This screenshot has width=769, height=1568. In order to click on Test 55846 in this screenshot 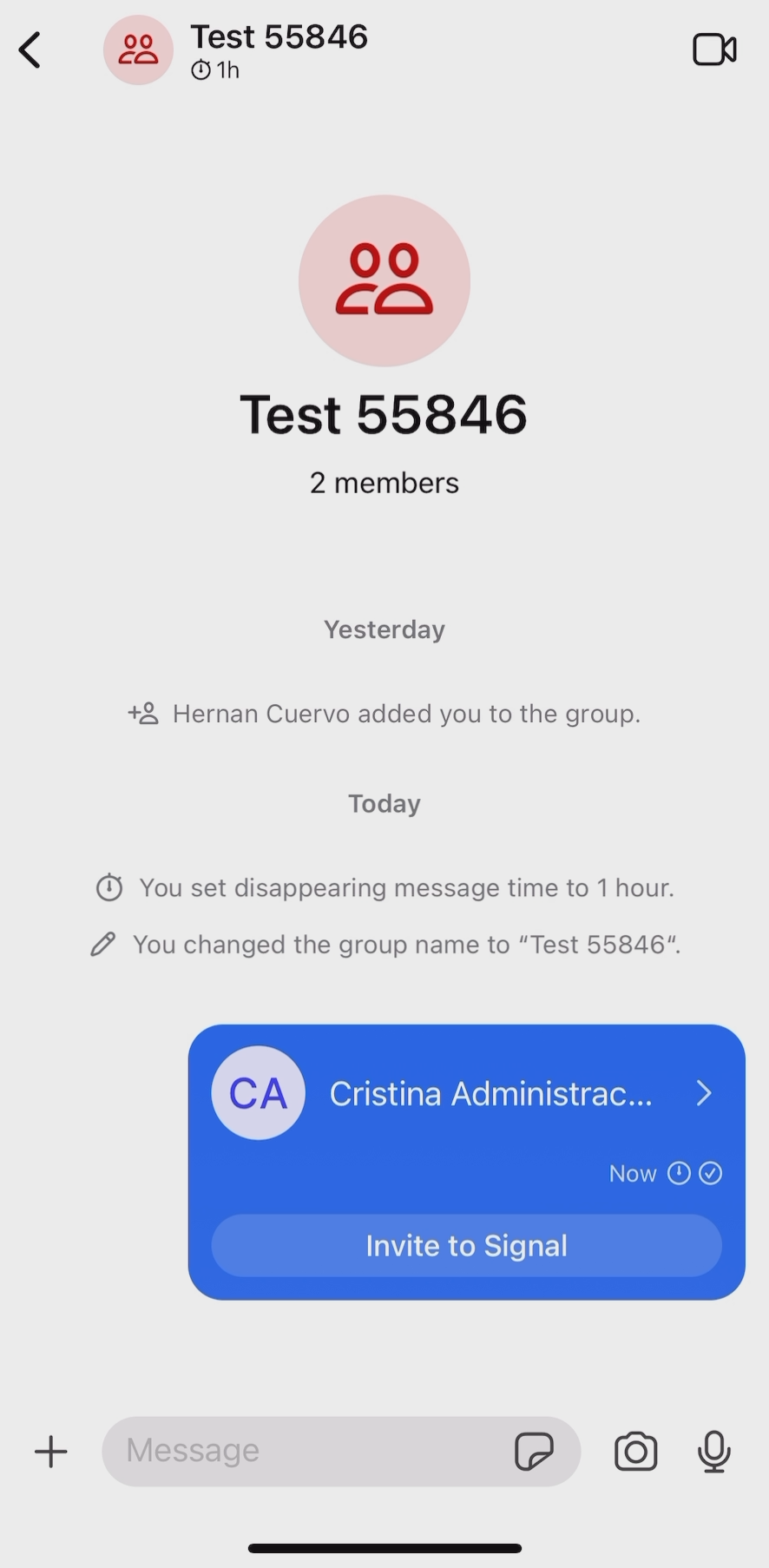, I will do `click(384, 318)`.